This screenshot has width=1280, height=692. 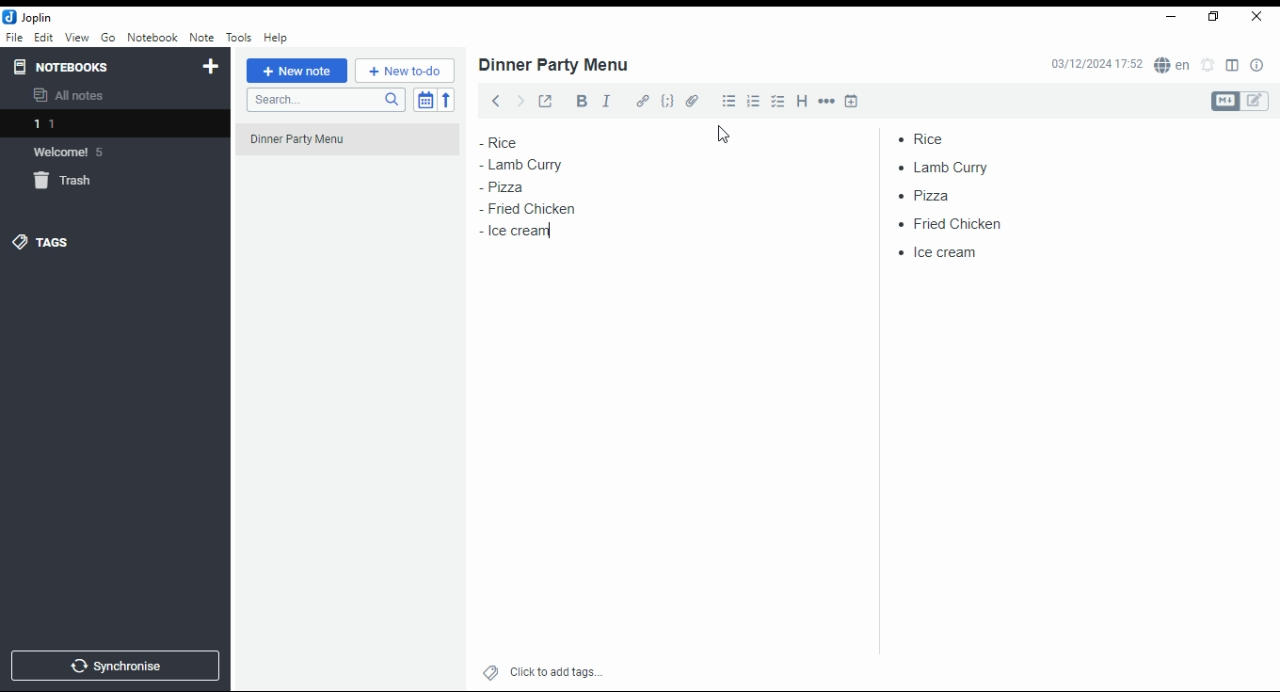 I want to click on help, so click(x=276, y=38).